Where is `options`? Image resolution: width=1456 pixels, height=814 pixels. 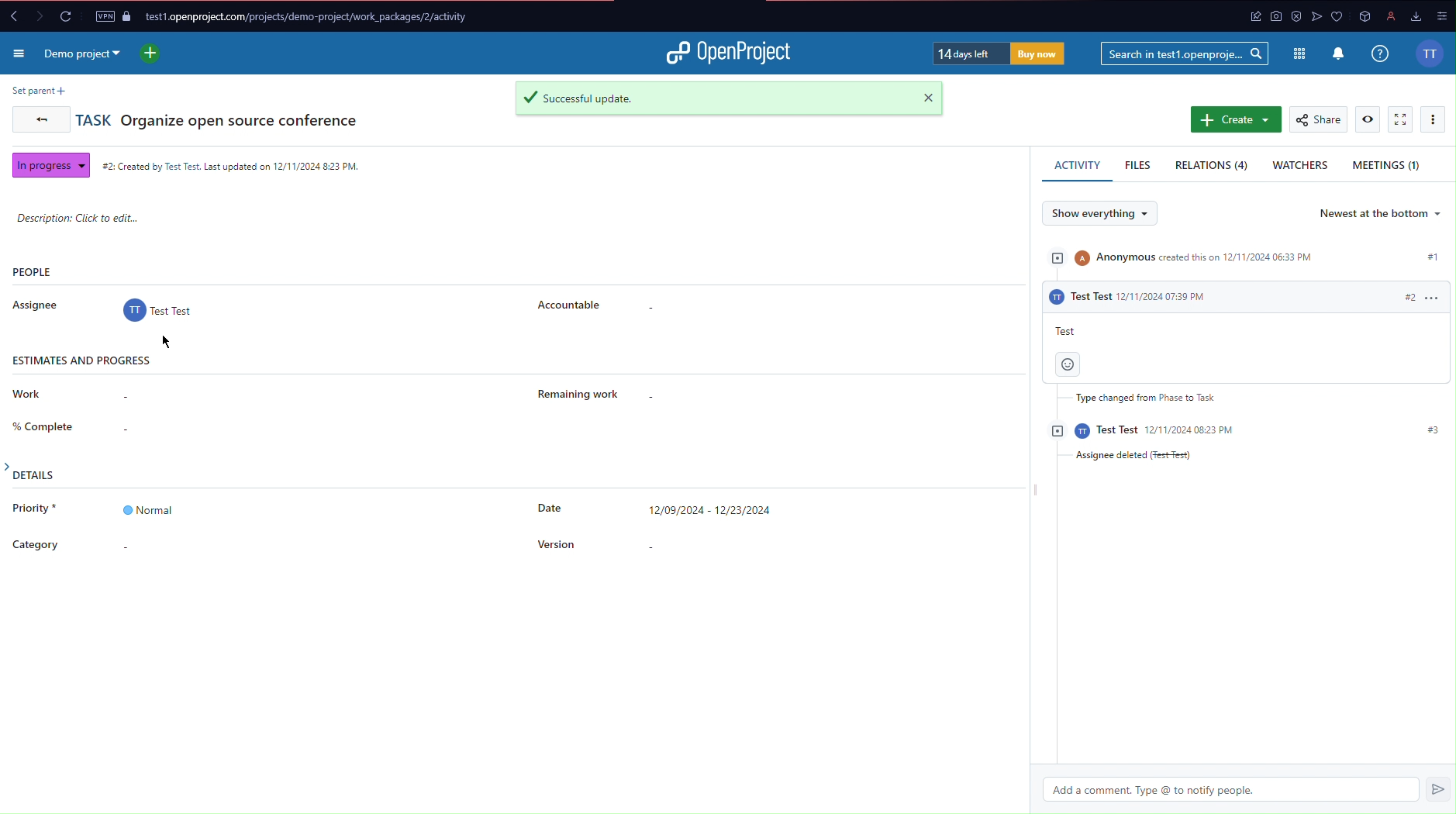
options is located at coordinates (1433, 294).